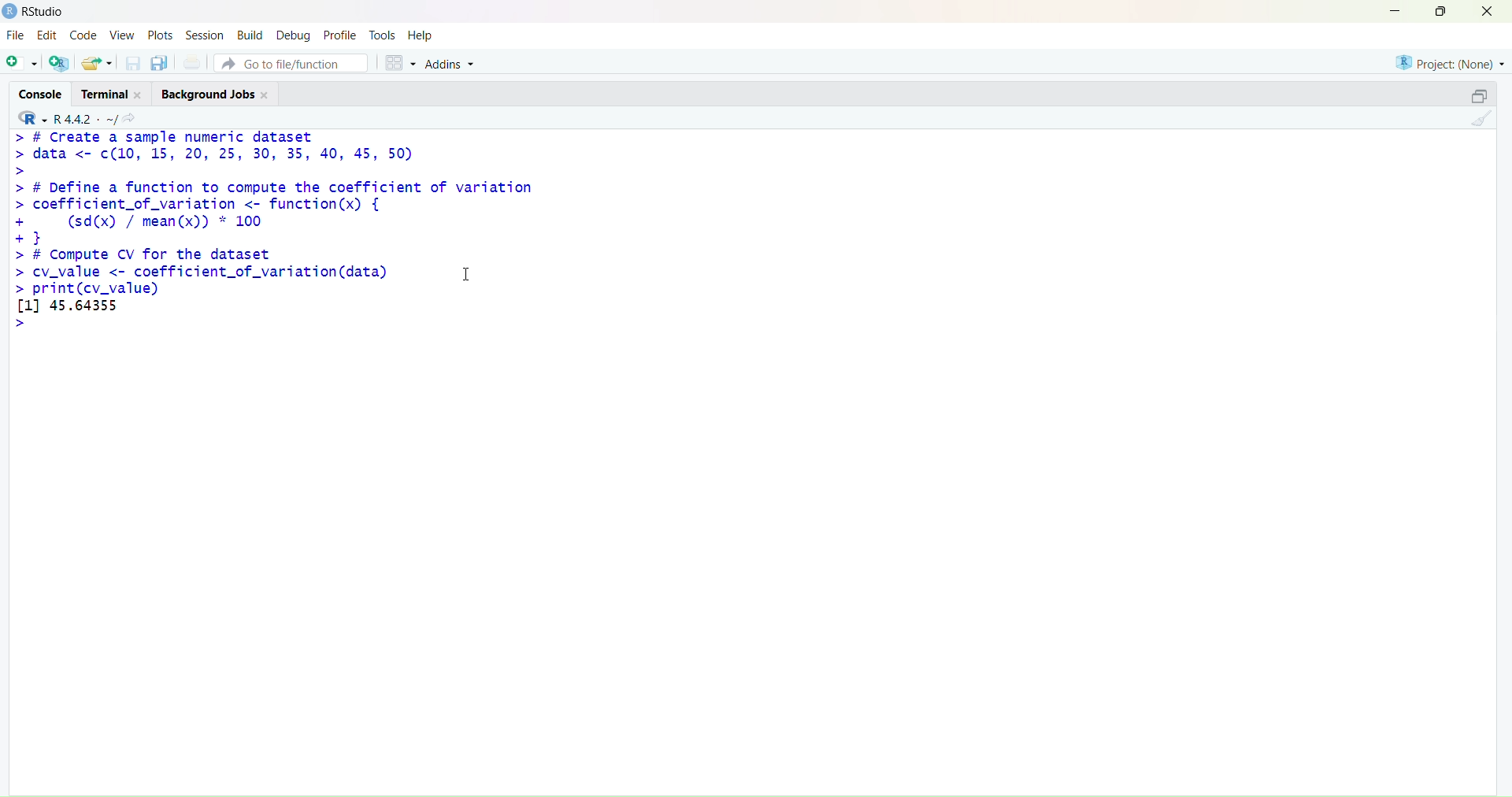 The width and height of the screenshot is (1512, 797). I want to click on clean, so click(1483, 118).